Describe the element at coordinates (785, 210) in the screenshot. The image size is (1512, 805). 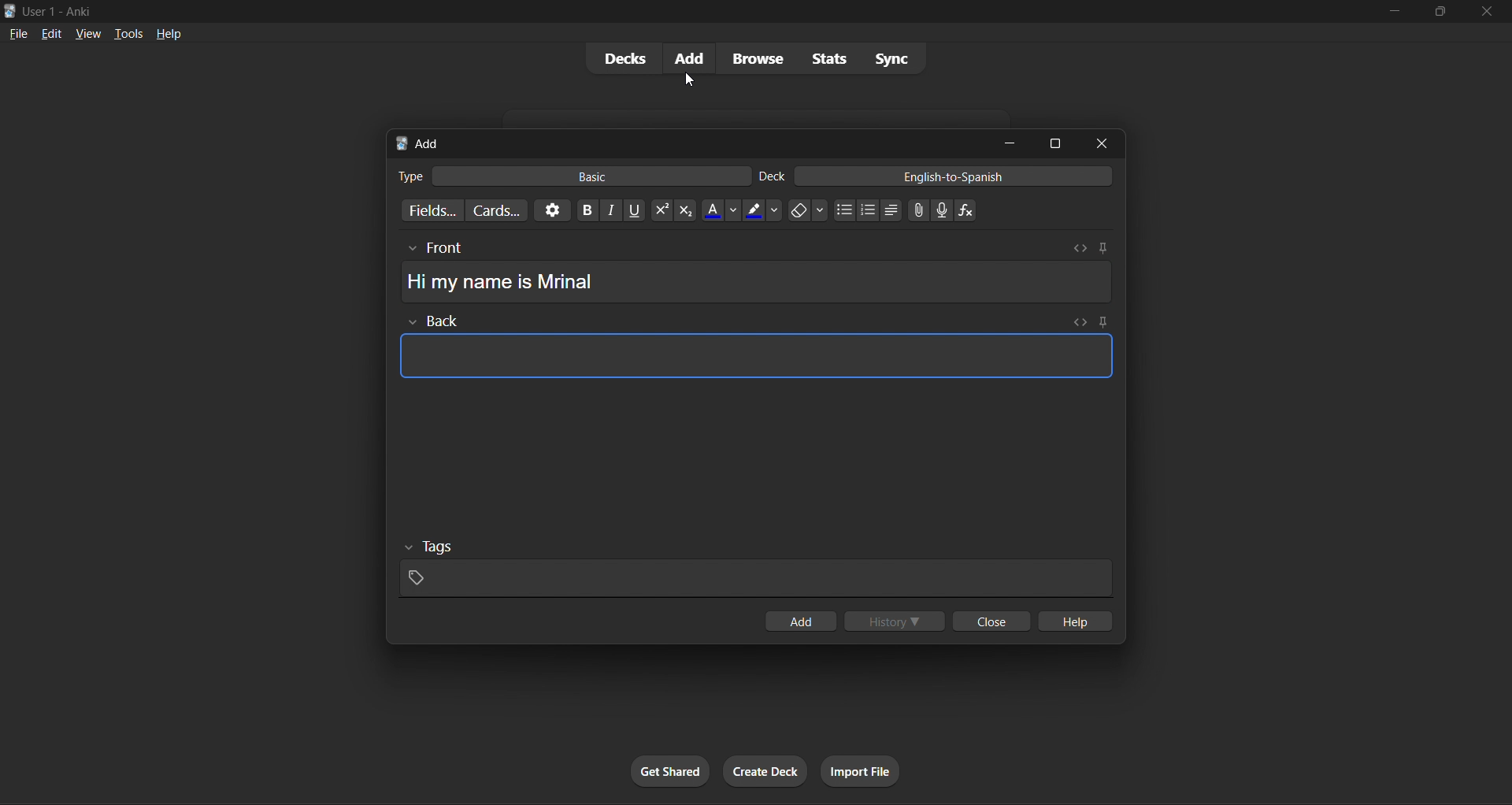
I see `text styling` at that location.